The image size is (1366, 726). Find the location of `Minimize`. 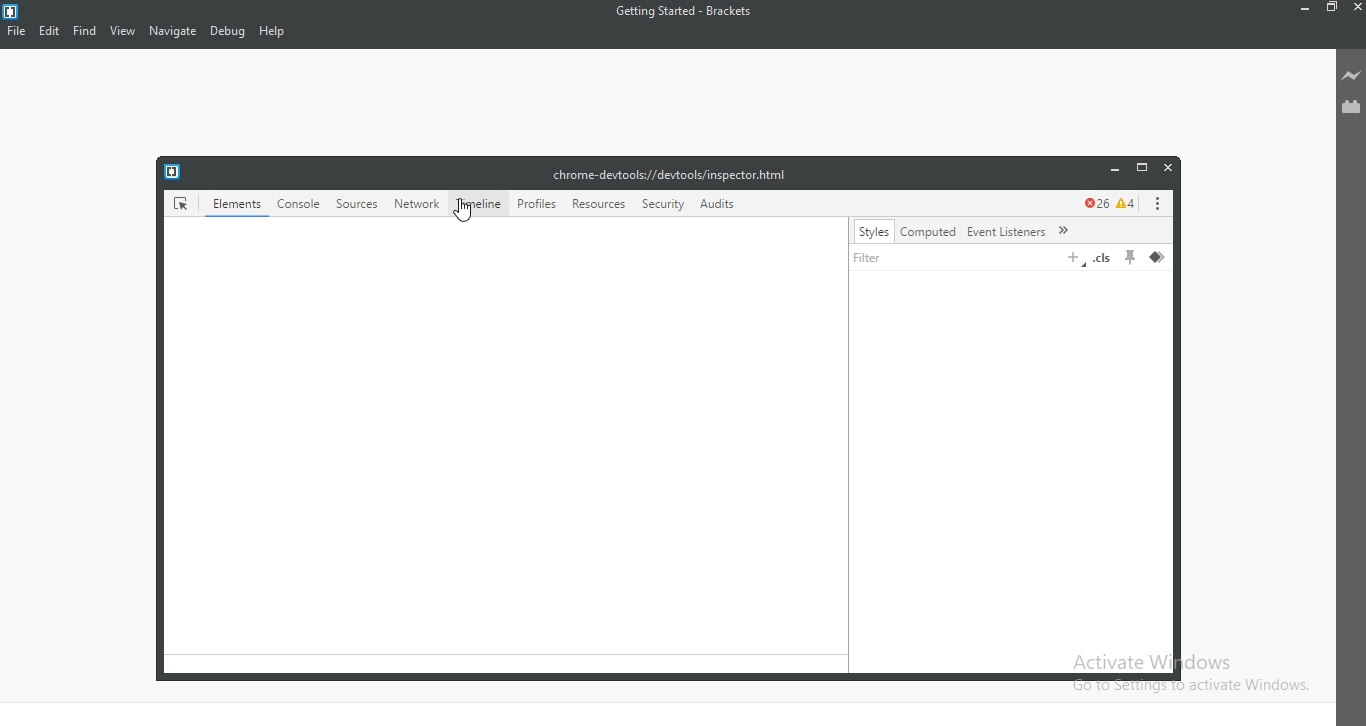

Minimize is located at coordinates (1305, 8).